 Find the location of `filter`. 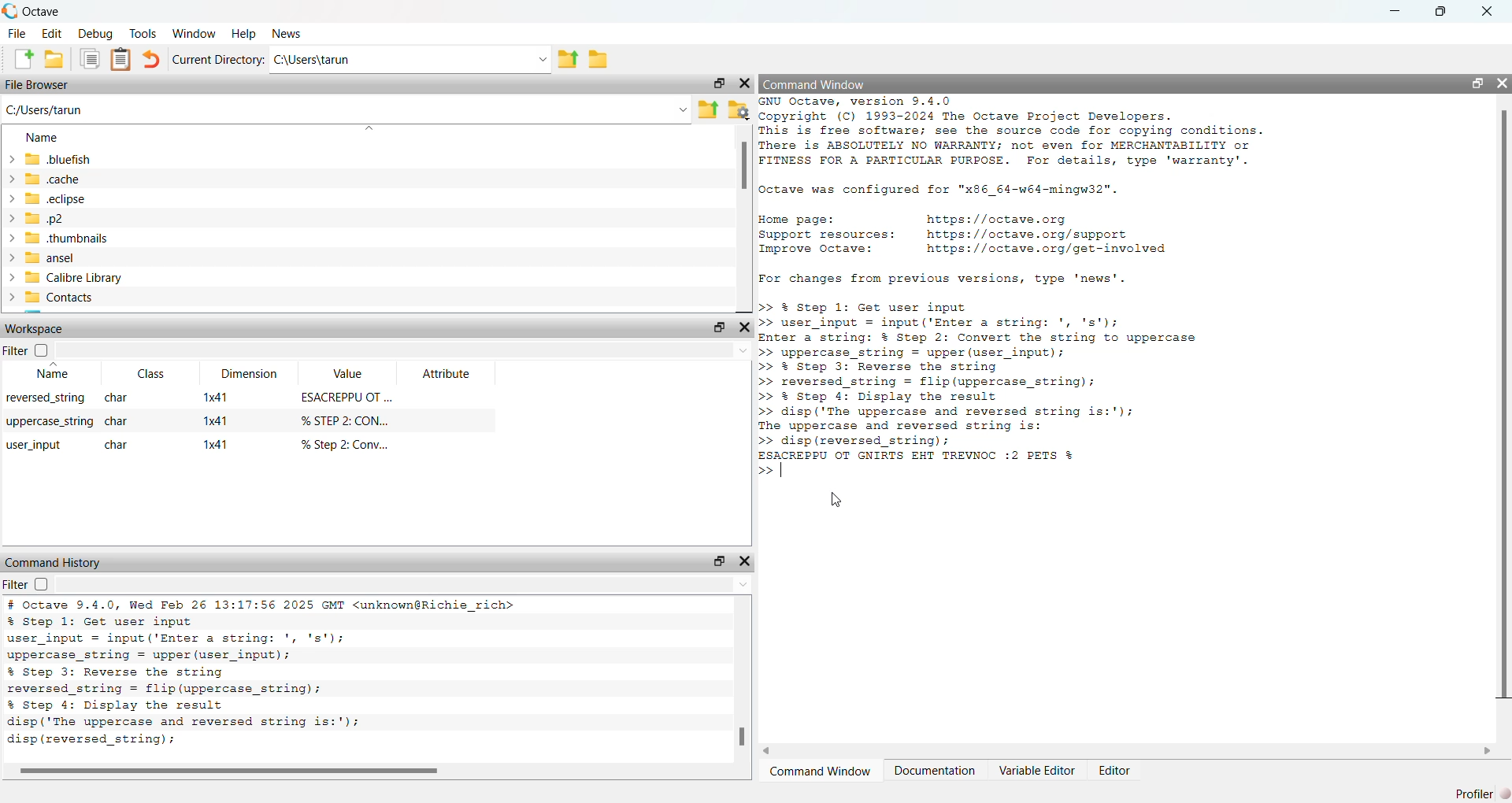

filter is located at coordinates (31, 584).